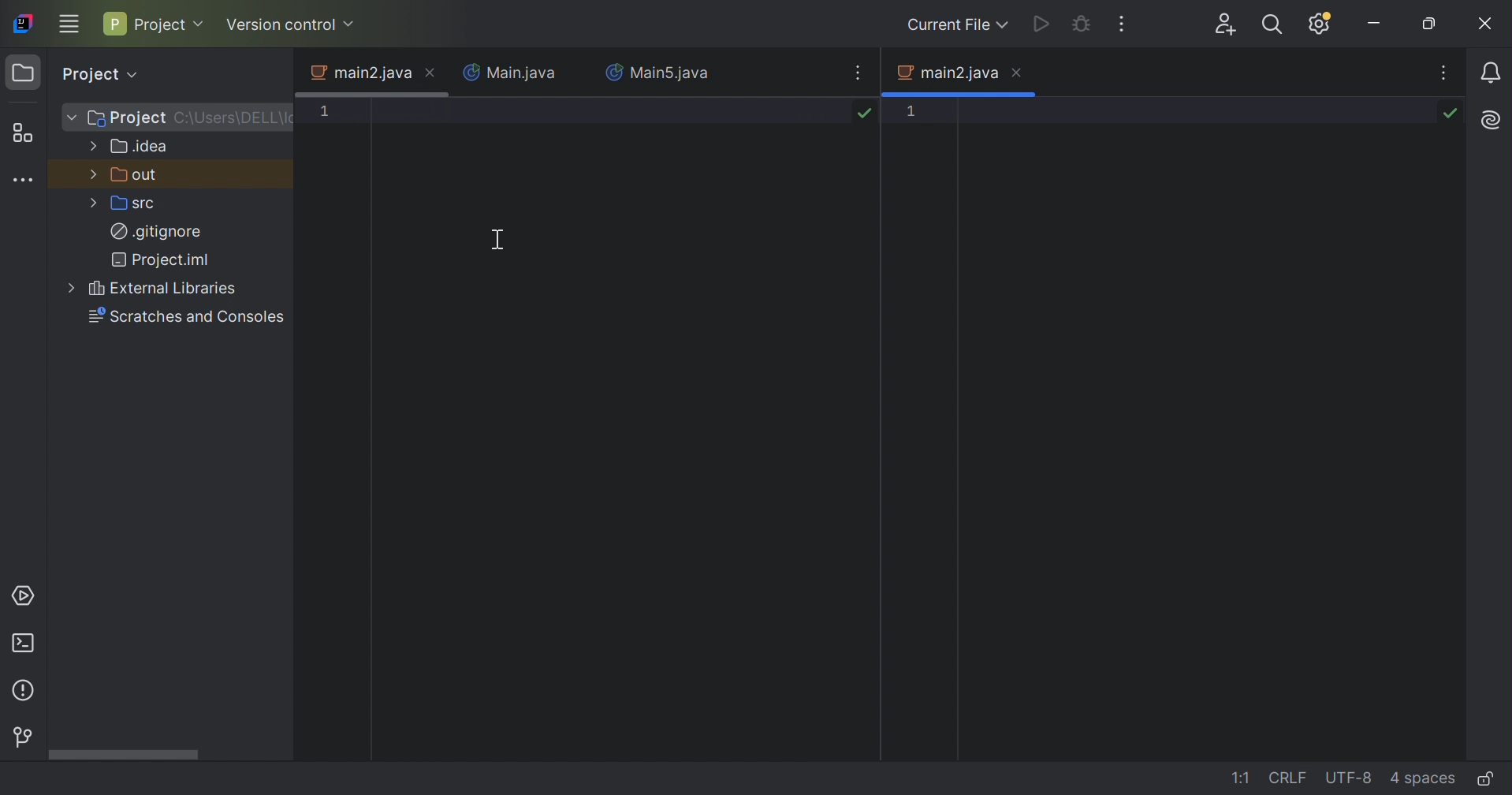 Image resolution: width=1512 pixels, height=795 pixels. I want to click on Updates available, IDE and Project settings., so click(1320, 23).